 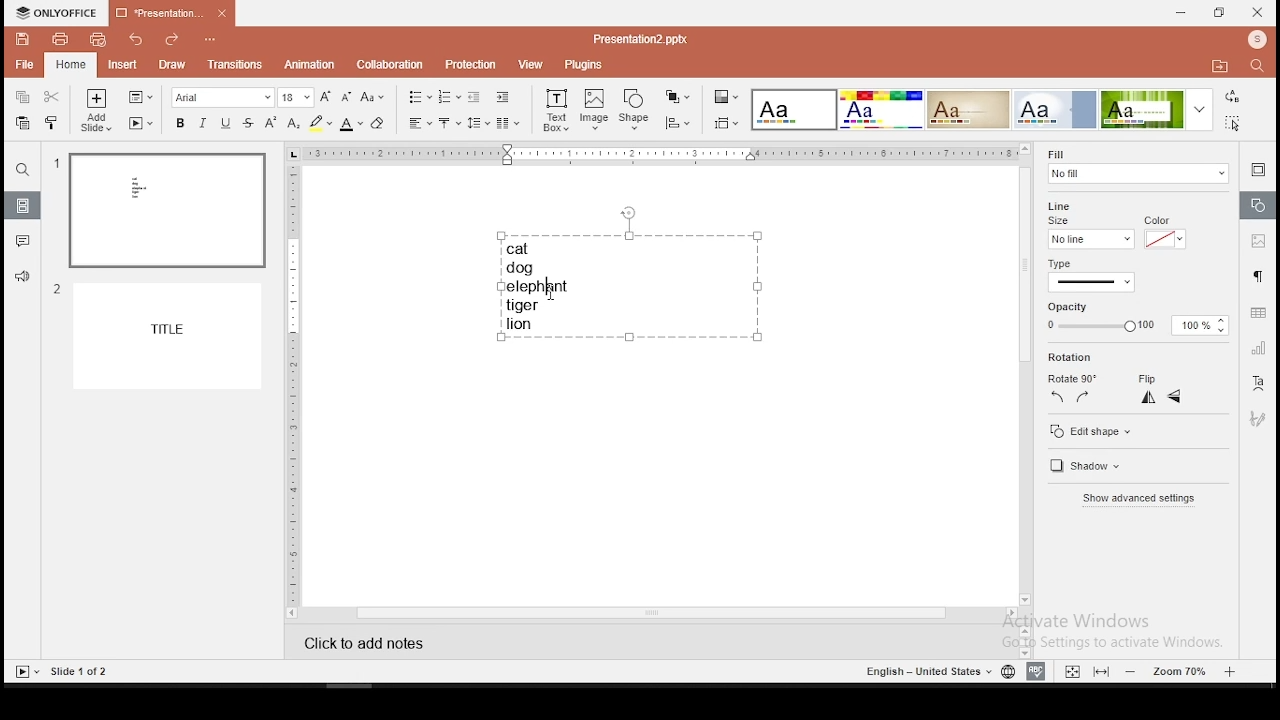 What do you see at coordinates (328, 97) in the screenshot?
I see `increase font size` at bounding box center [328, 97].